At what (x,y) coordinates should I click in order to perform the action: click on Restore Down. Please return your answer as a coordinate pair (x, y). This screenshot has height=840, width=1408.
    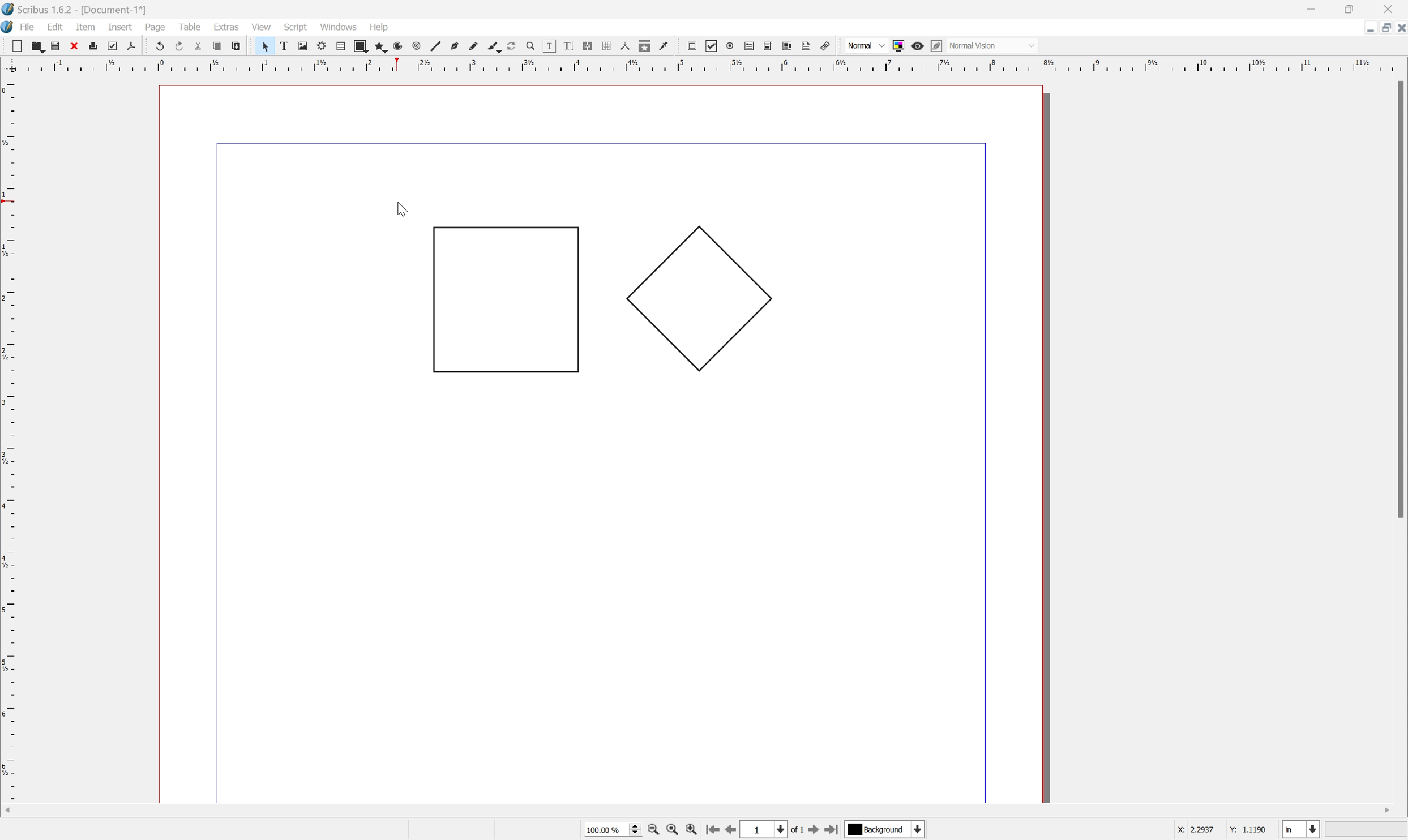
    Looking at the image, I should click on (1352, 8).